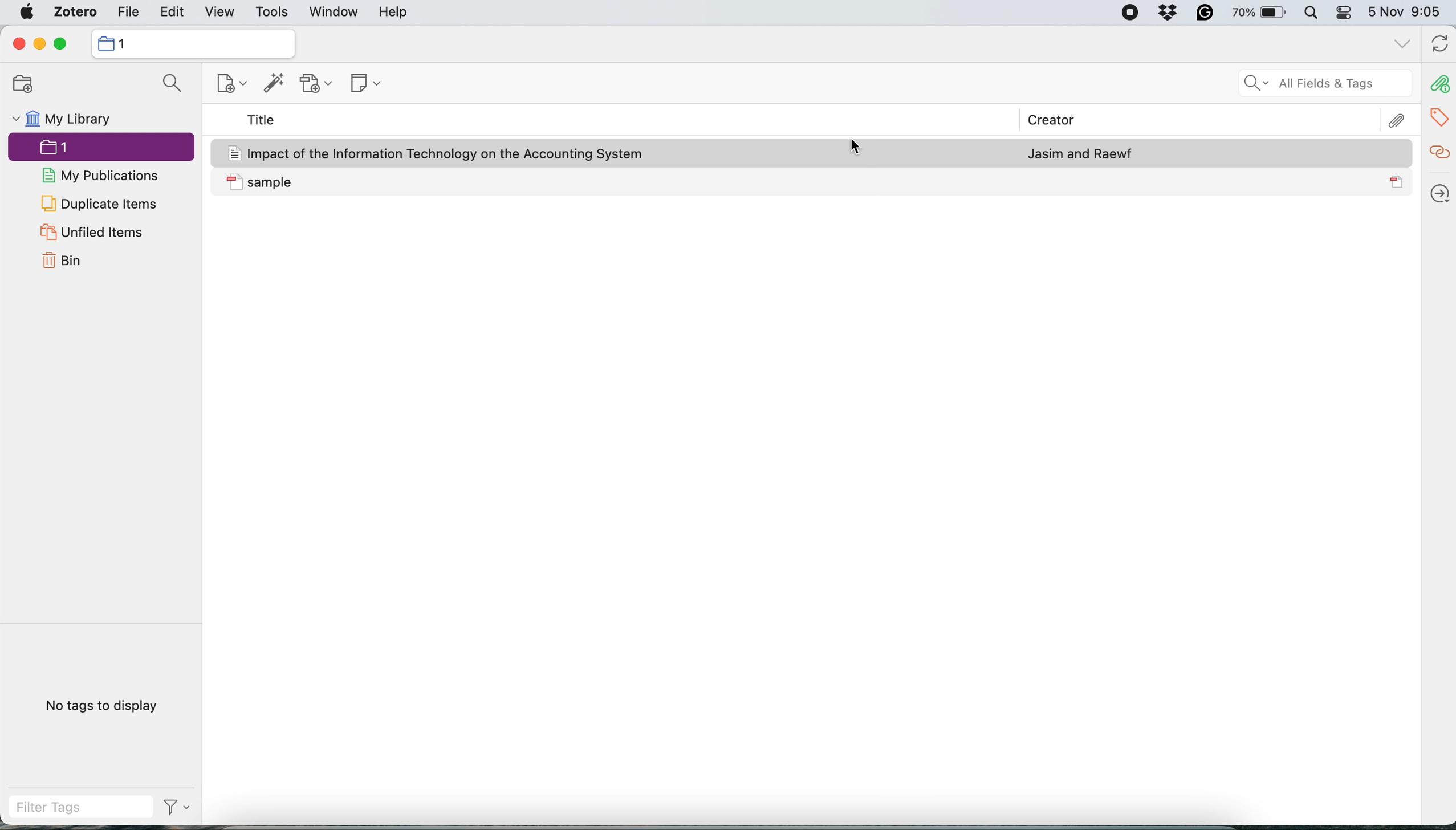 This screenshot has height=830, width=1456. What do you see at coordinates (393, 13) in the screenshot?
I see `help` at bounding box center [393, 13].